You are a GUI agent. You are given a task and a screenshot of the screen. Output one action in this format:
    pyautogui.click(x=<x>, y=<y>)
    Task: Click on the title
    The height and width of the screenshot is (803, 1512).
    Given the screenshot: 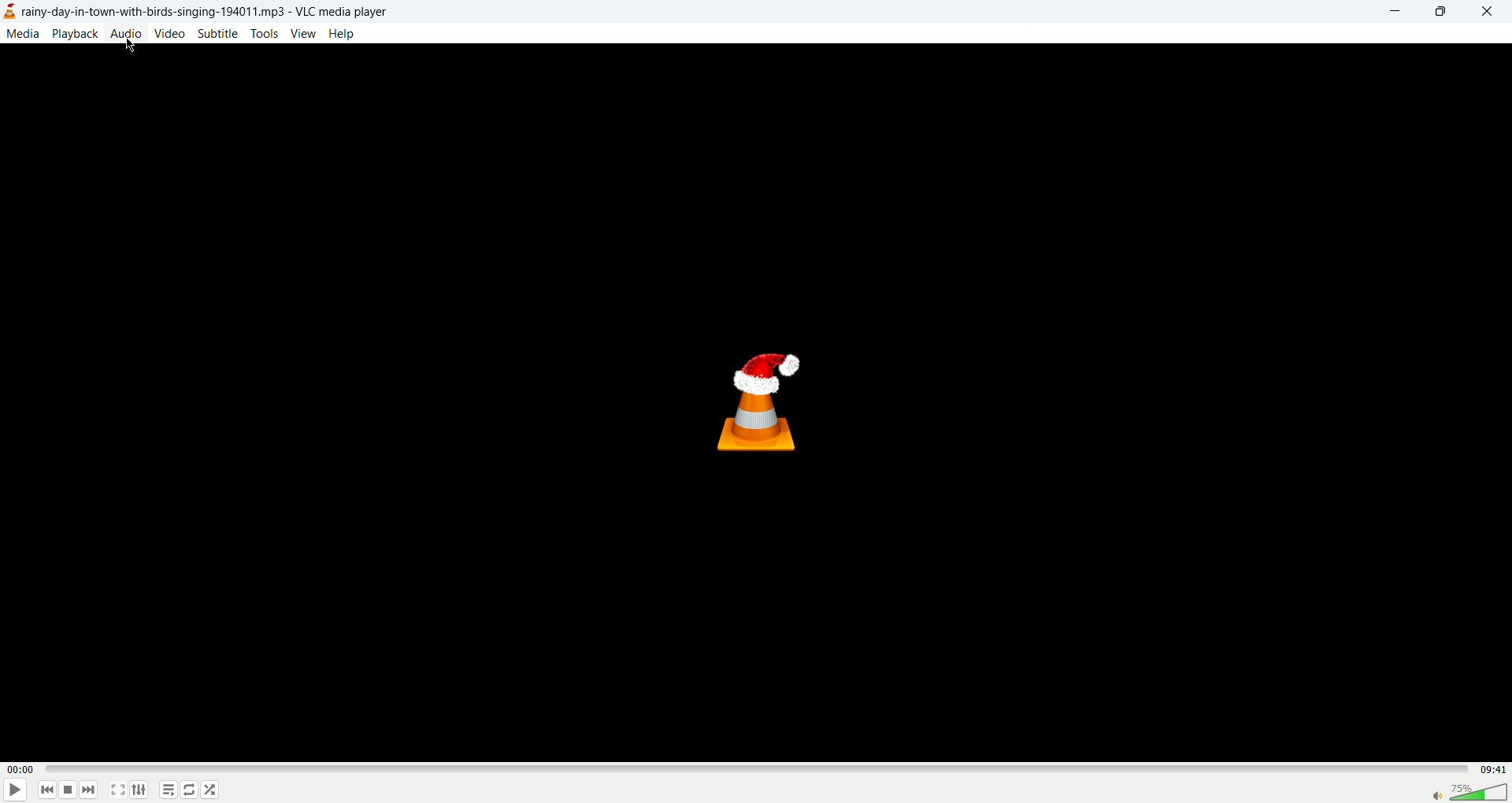 What is the action you would take?
    pyautogui.click(x=206, y=12)
    